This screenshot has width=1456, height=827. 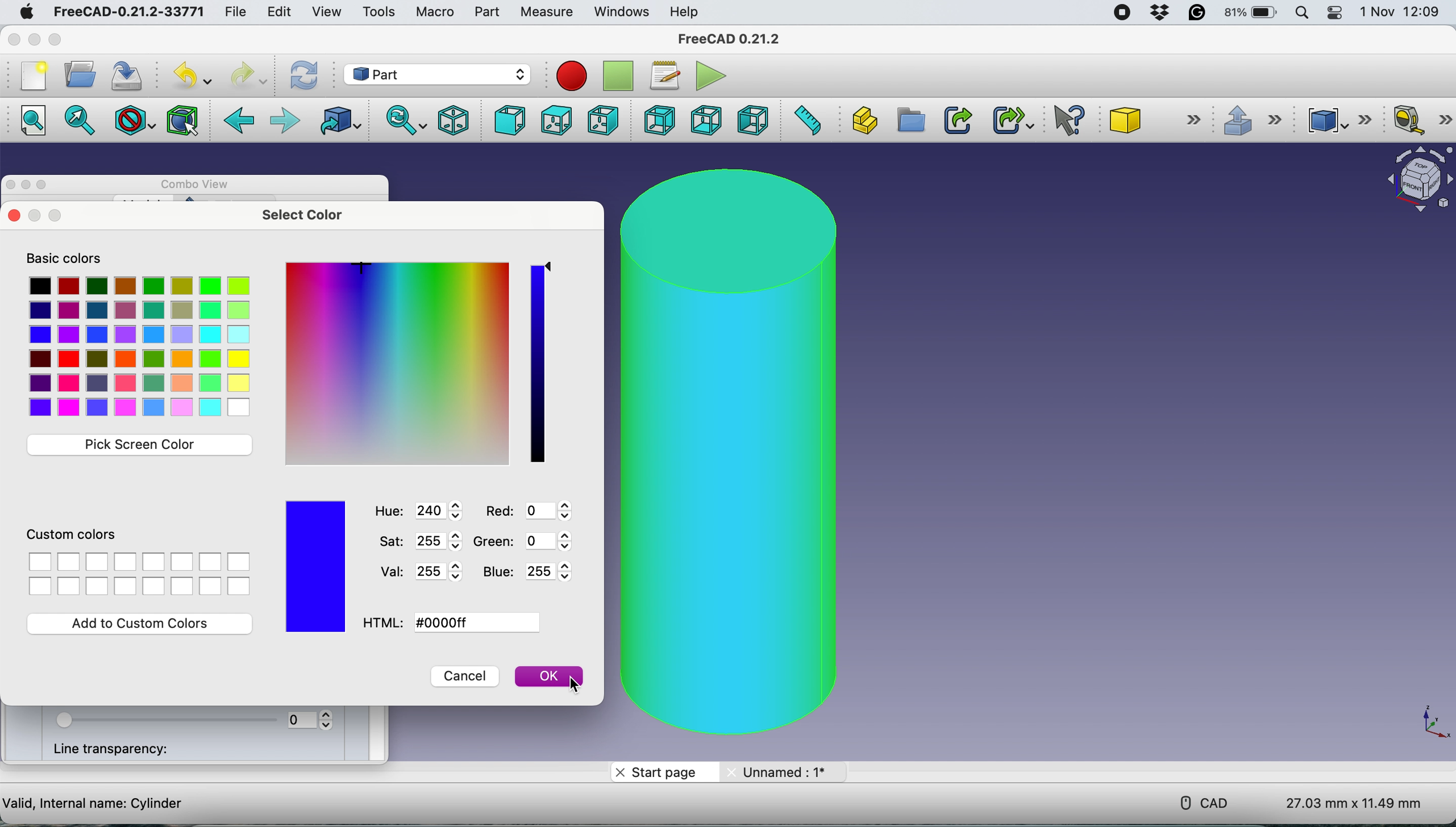 What do you see at coordinates (704, 120) in the screenshot?
I see `bottom` at bounding box center [704, 120].